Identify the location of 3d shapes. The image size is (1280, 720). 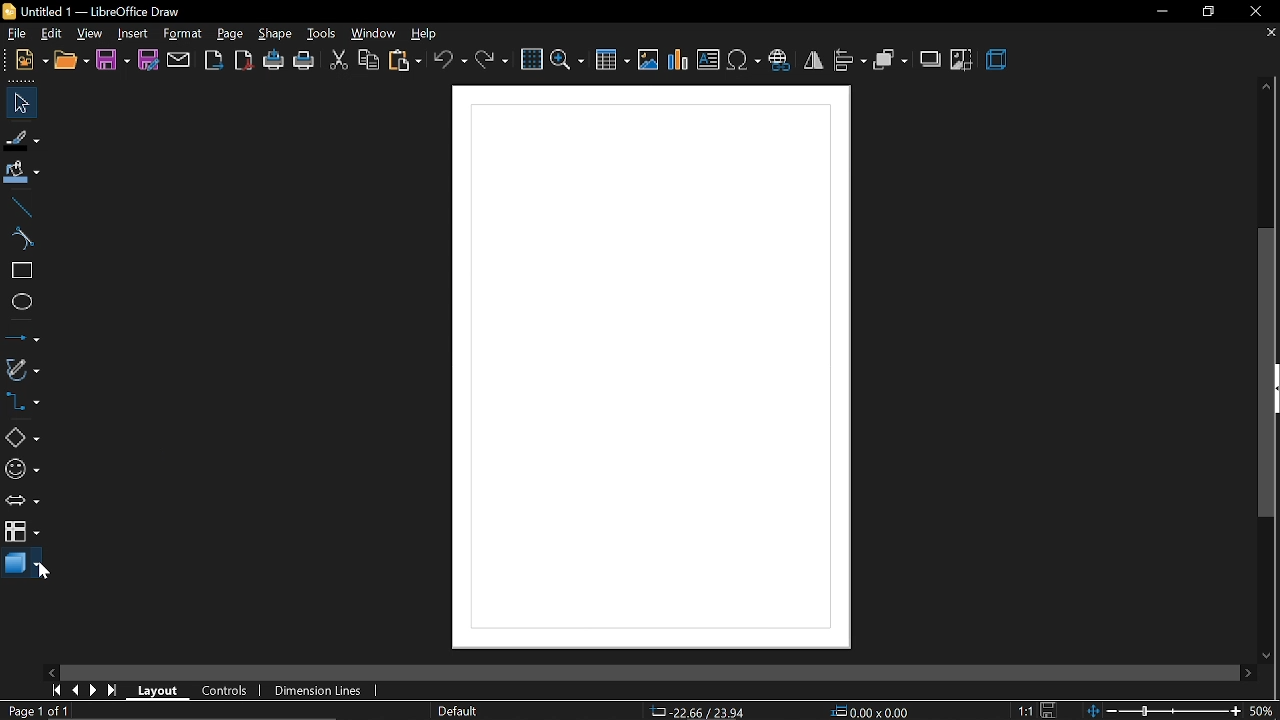
(22, 565).